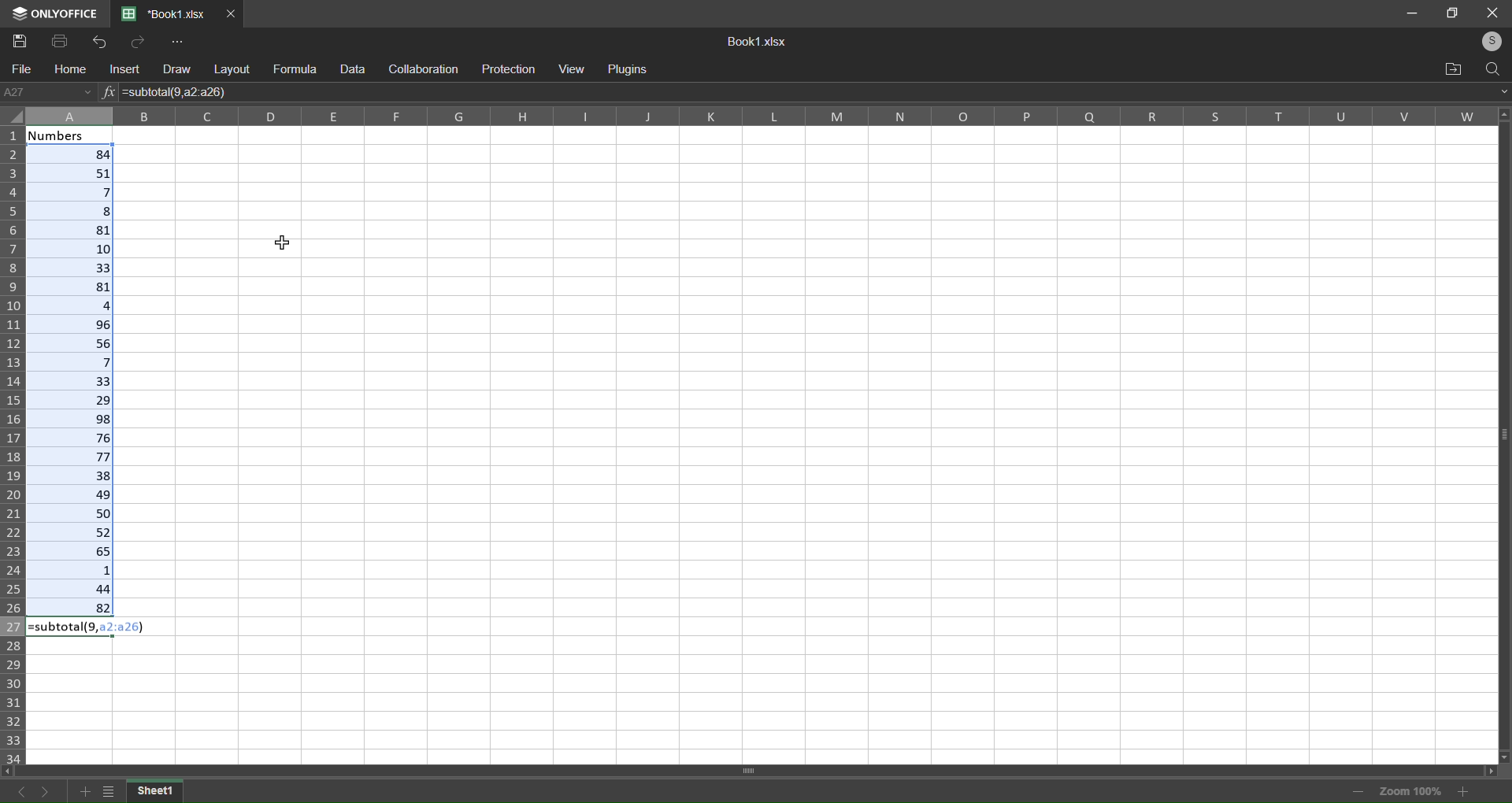  What do you see at coordinates (1491, 69) in the screenshot?
I see `search` at bounding box center [1491, 69].